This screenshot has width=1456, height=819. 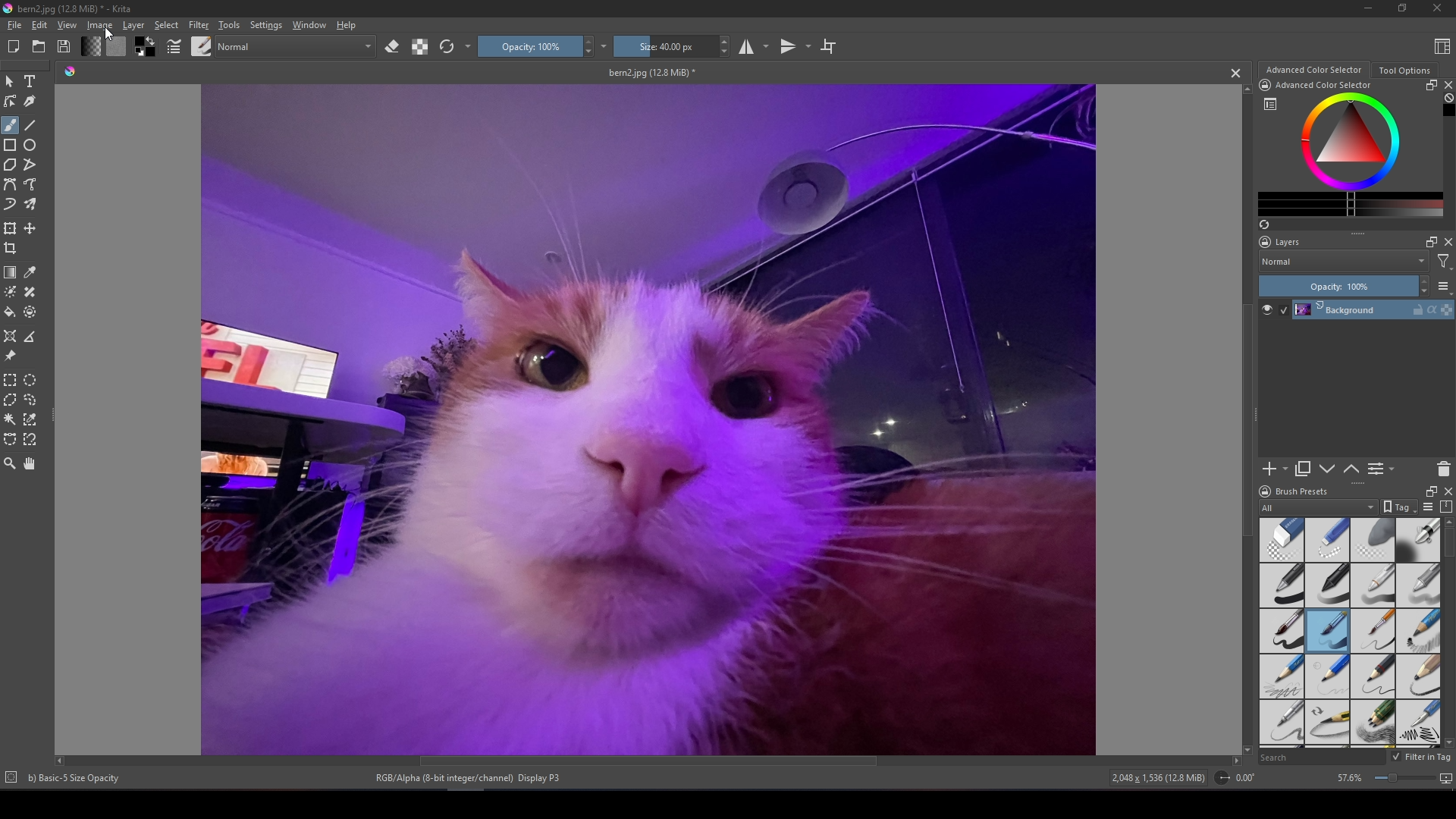 I want to click on Opacity, so click(x=538, y=46).